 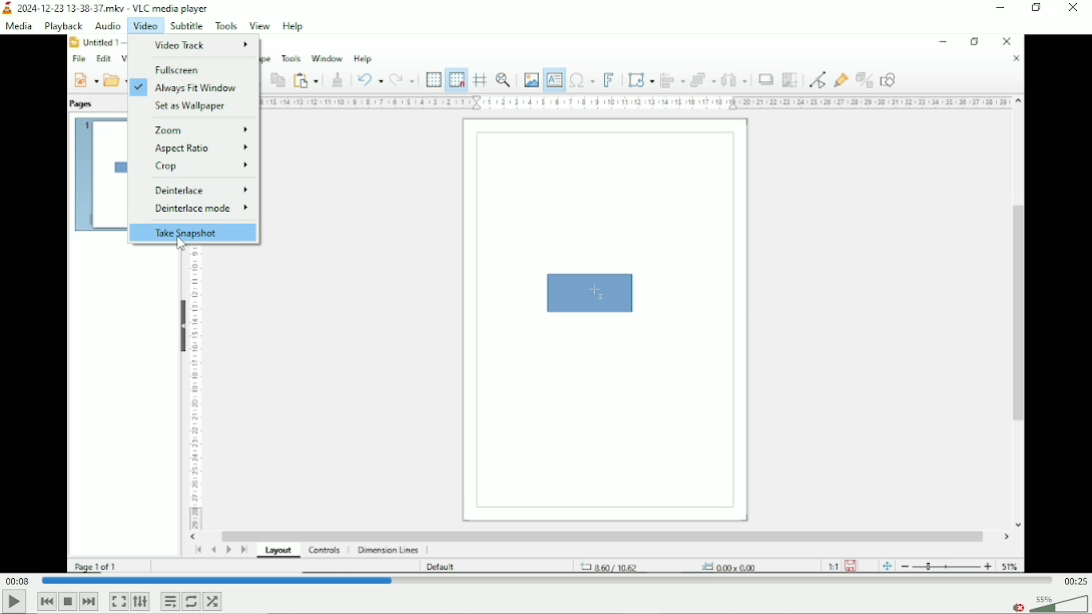 What do you see at coordinates (196, 88) in the screenshot?
I see `Always fit window` at bounding box center [196, 88].